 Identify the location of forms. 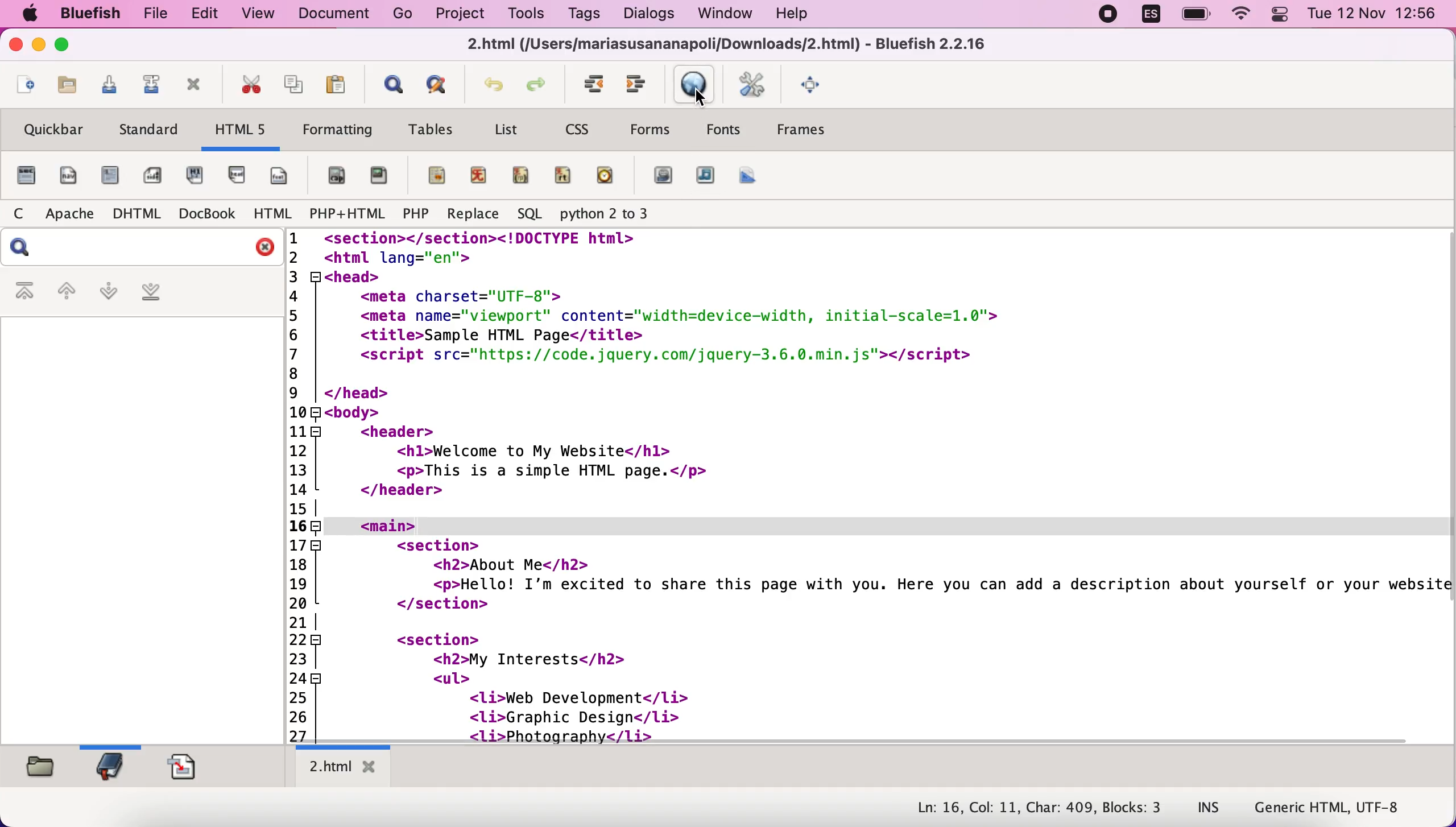
(653, 130).